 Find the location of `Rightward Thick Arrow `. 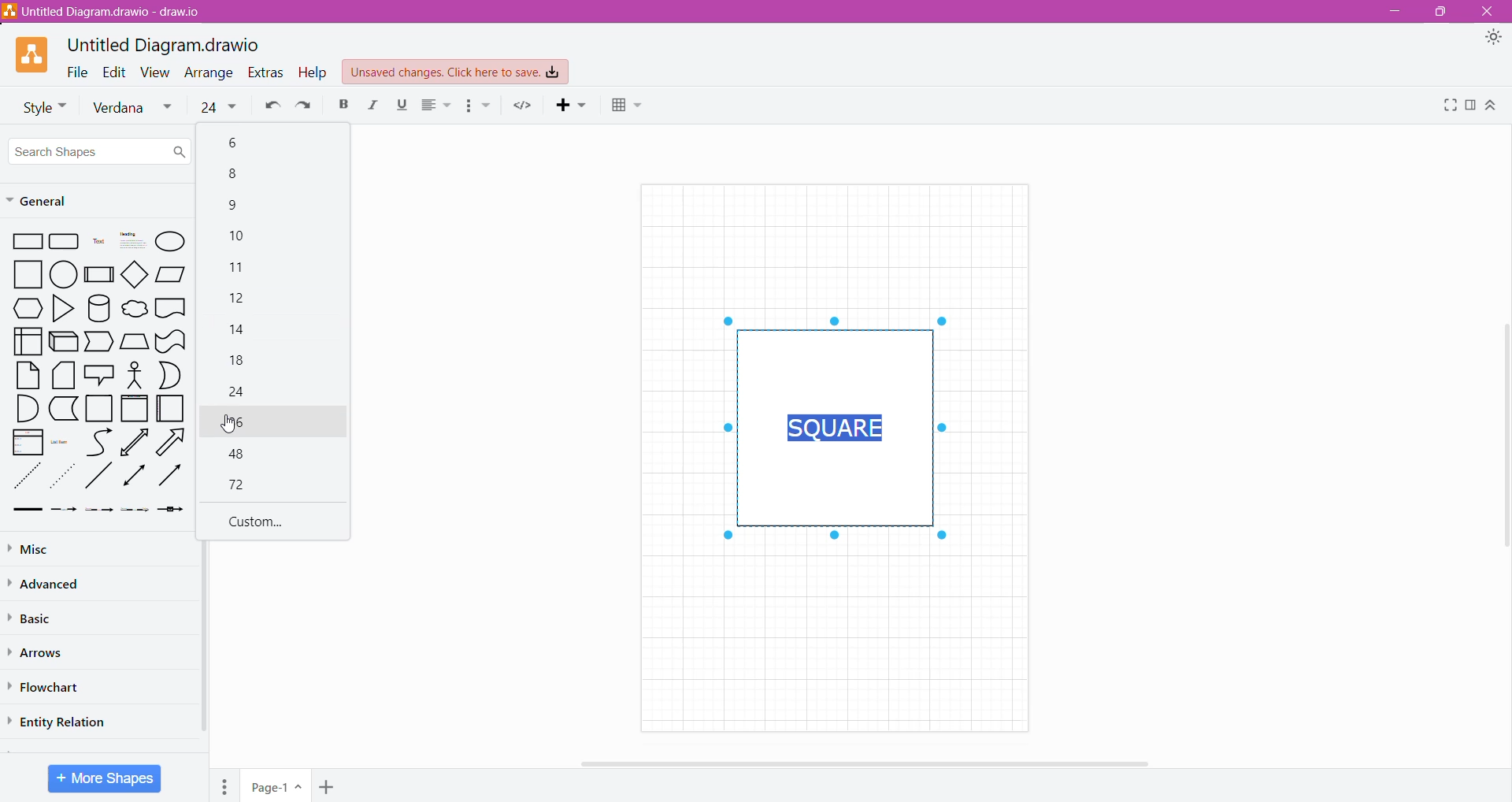

Rightward Thick Arrow  is located at coordinates (170, 476).